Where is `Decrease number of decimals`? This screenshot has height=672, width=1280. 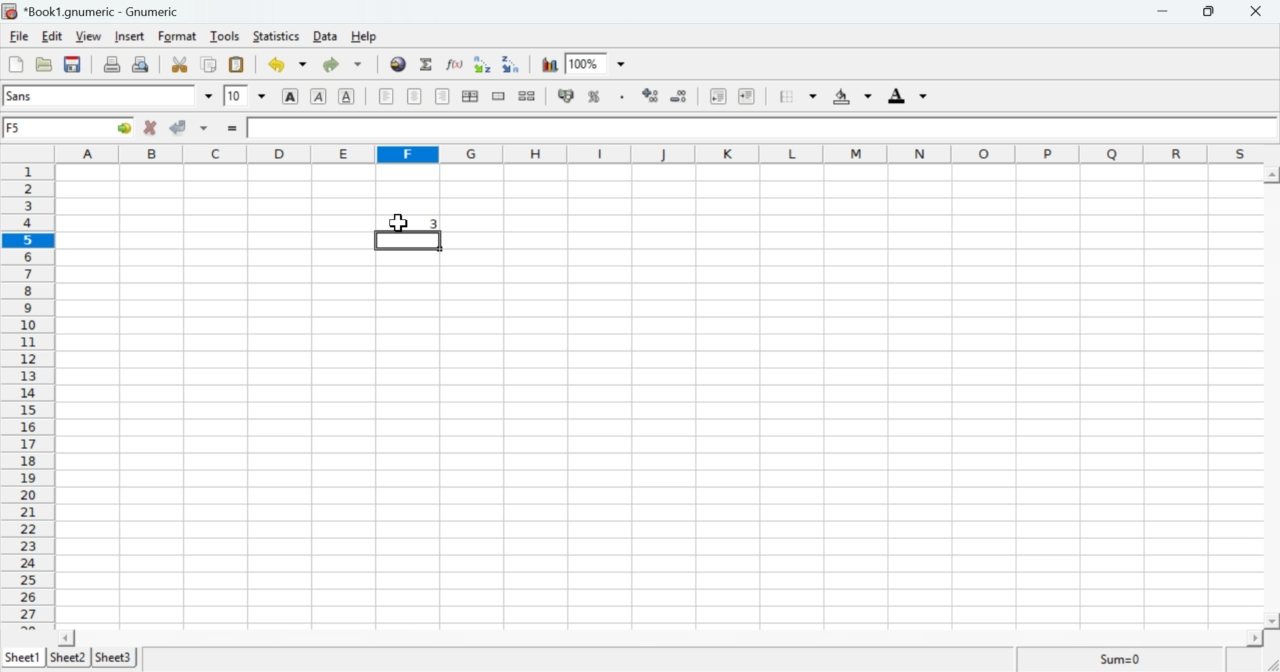 Decrease number of decimals is located at coordinates (680, 96).